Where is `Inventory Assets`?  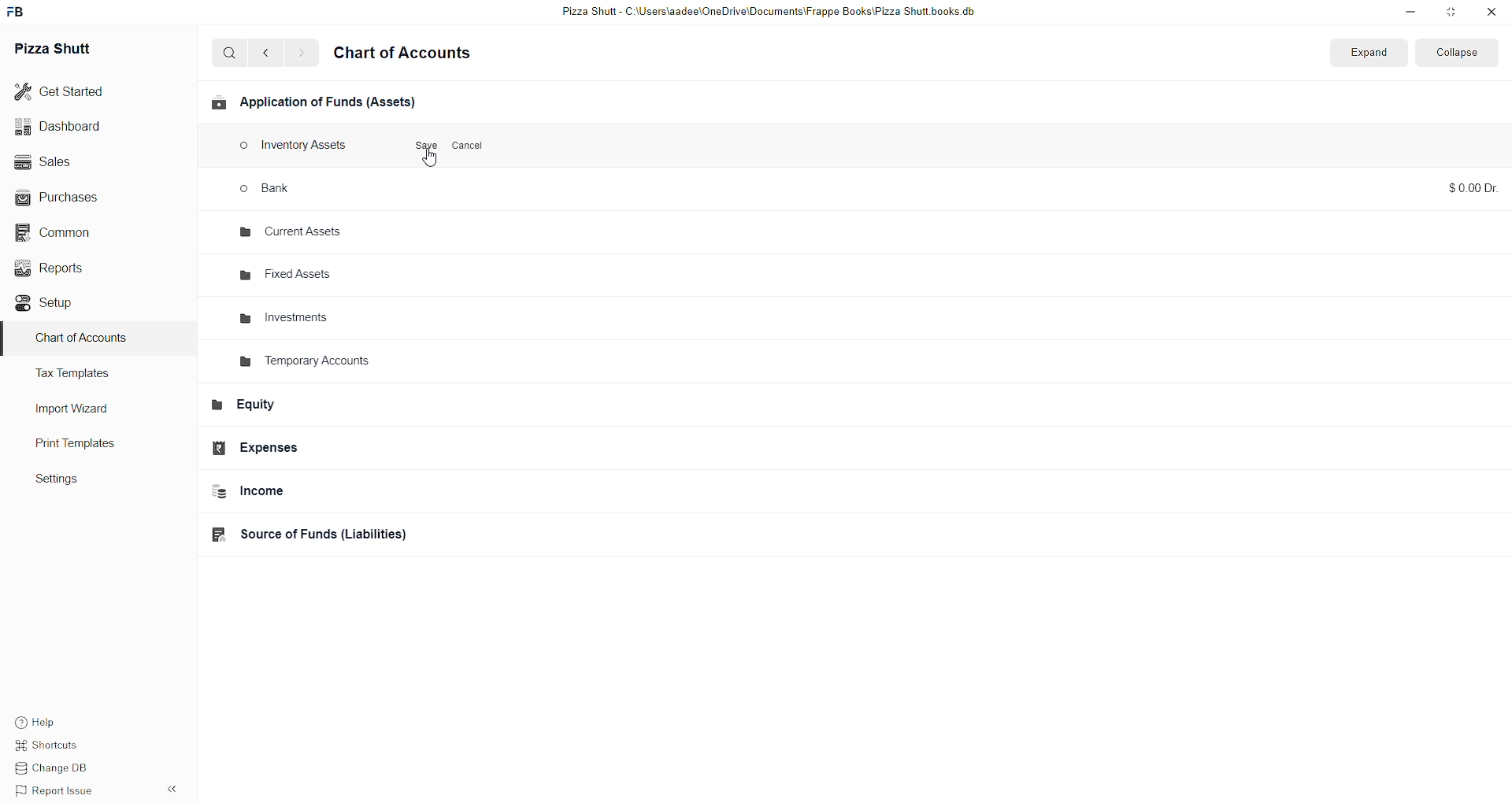
Inventory Assets is located at coordinates (287, 146).